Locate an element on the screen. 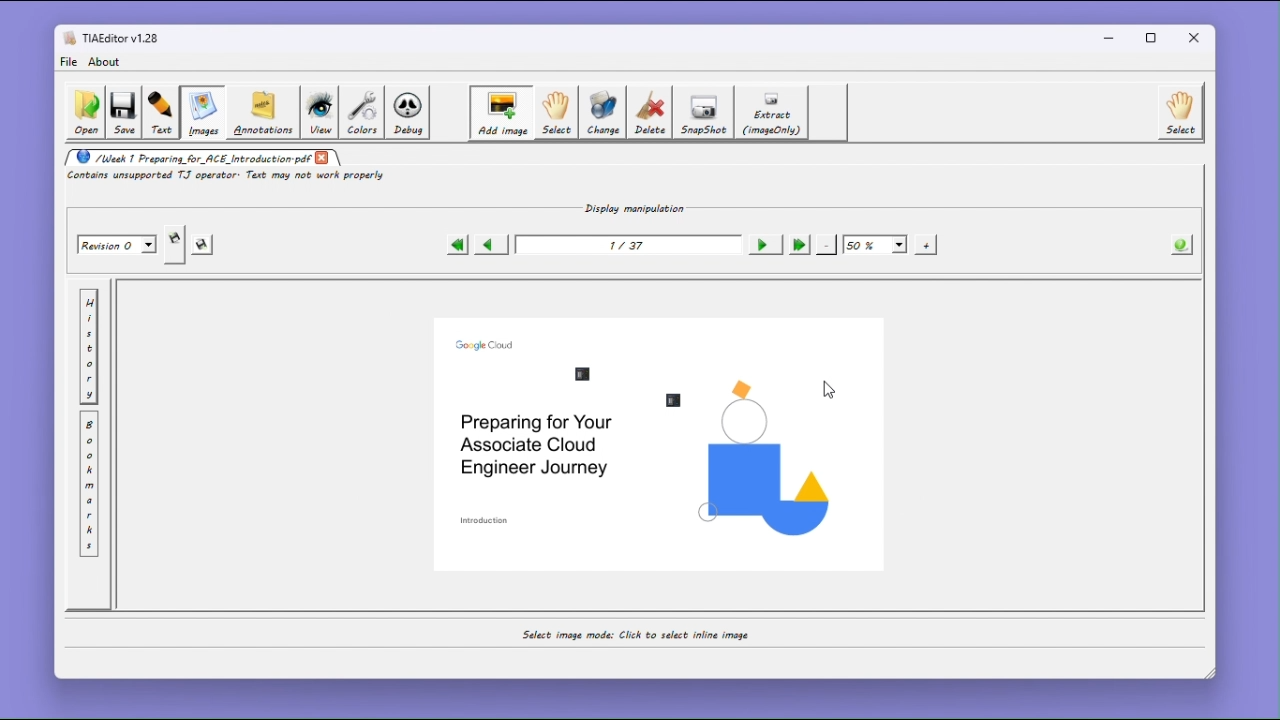 The image size is (1280, 720). Previous page is located at coordinates (489, 244).